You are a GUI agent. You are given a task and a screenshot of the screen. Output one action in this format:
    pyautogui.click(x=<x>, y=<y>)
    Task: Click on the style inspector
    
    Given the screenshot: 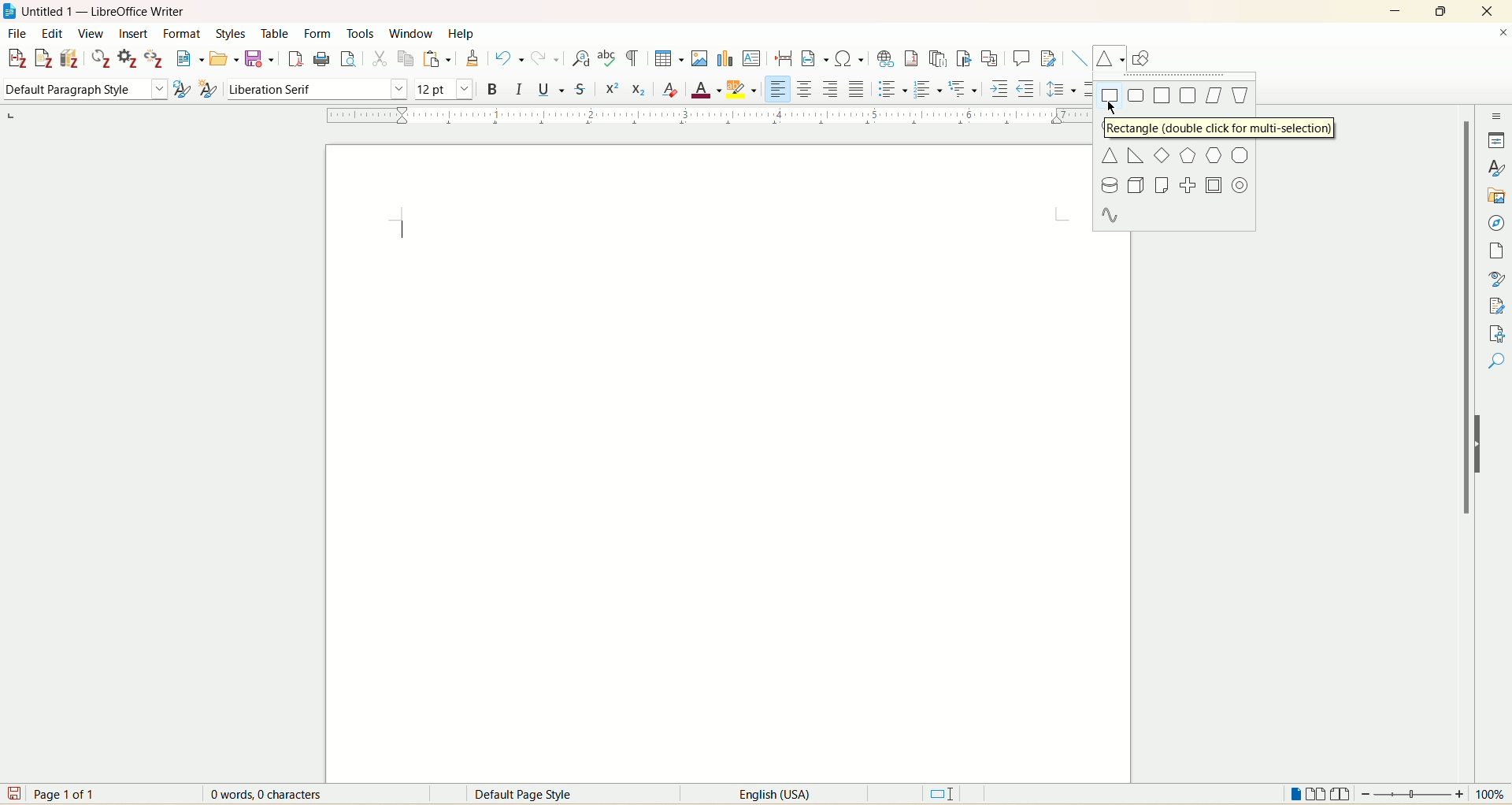 What is the action you would take?
    pyautogui.click(x=1497, y=276)
    